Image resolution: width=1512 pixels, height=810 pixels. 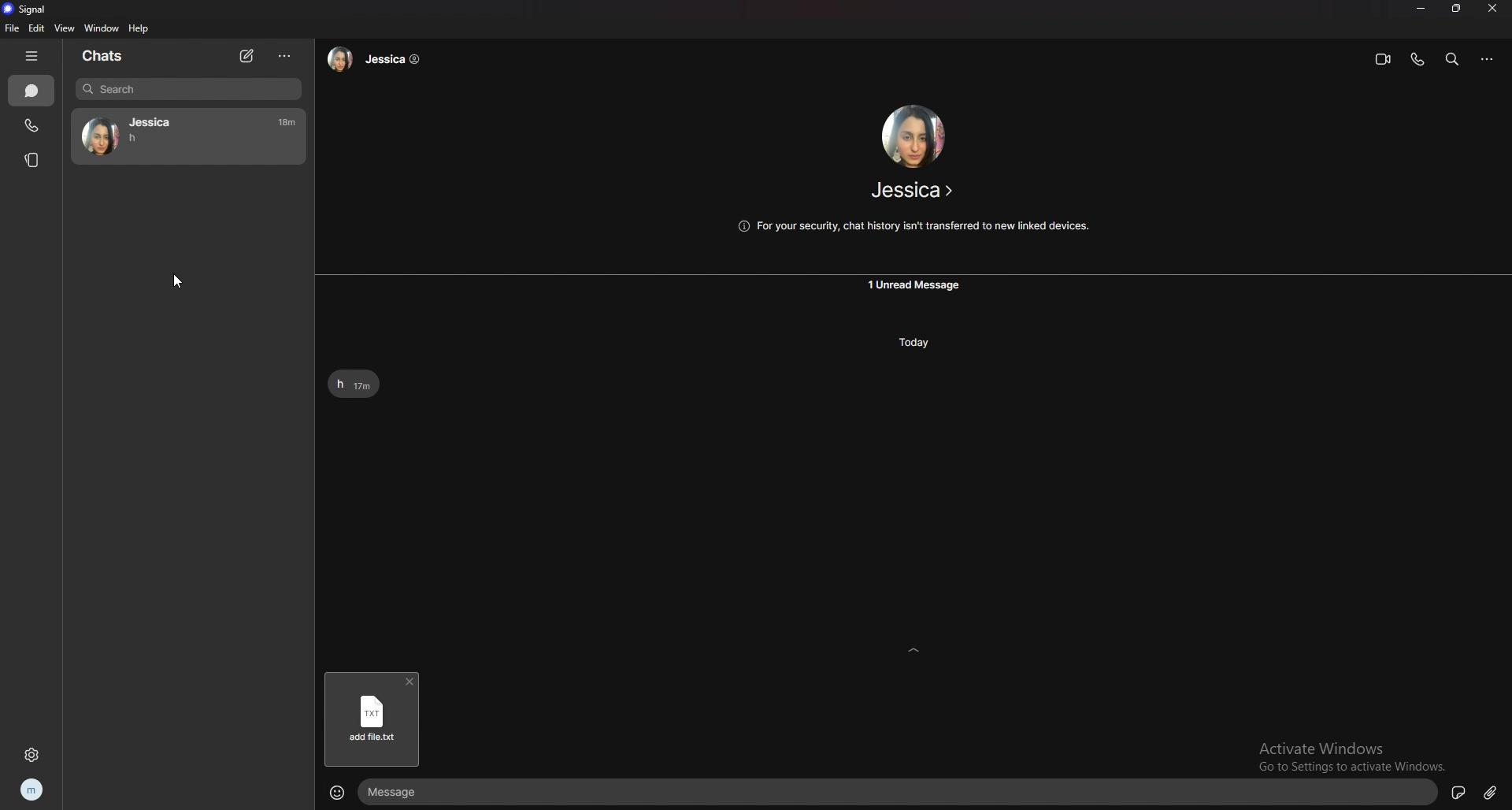 I want to click on profile, so click(x=33, y=790).